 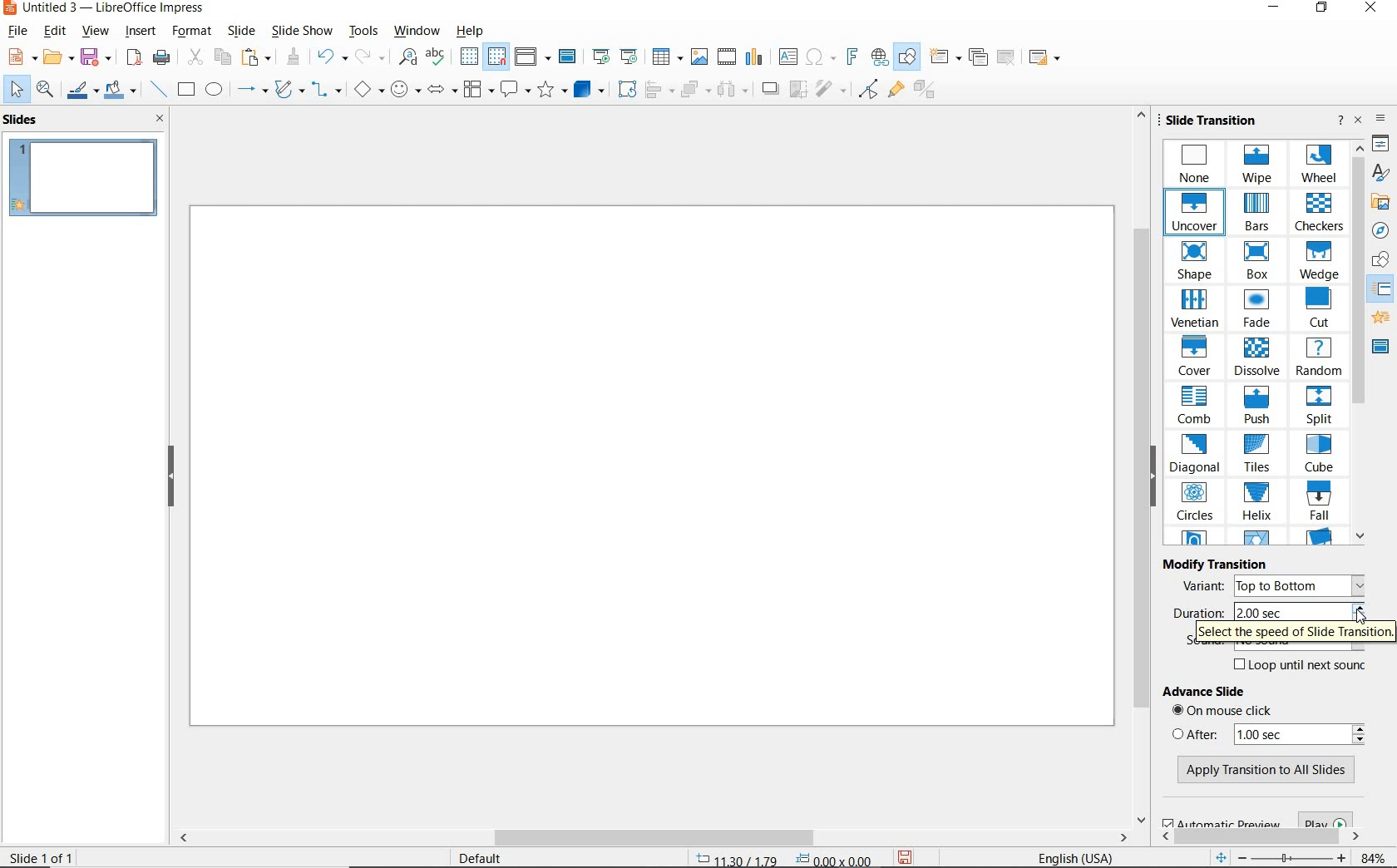 What do you see at coordinates (1360, 616) in the screenshot?
I see `cursor` at bounding box center [1360, 616].